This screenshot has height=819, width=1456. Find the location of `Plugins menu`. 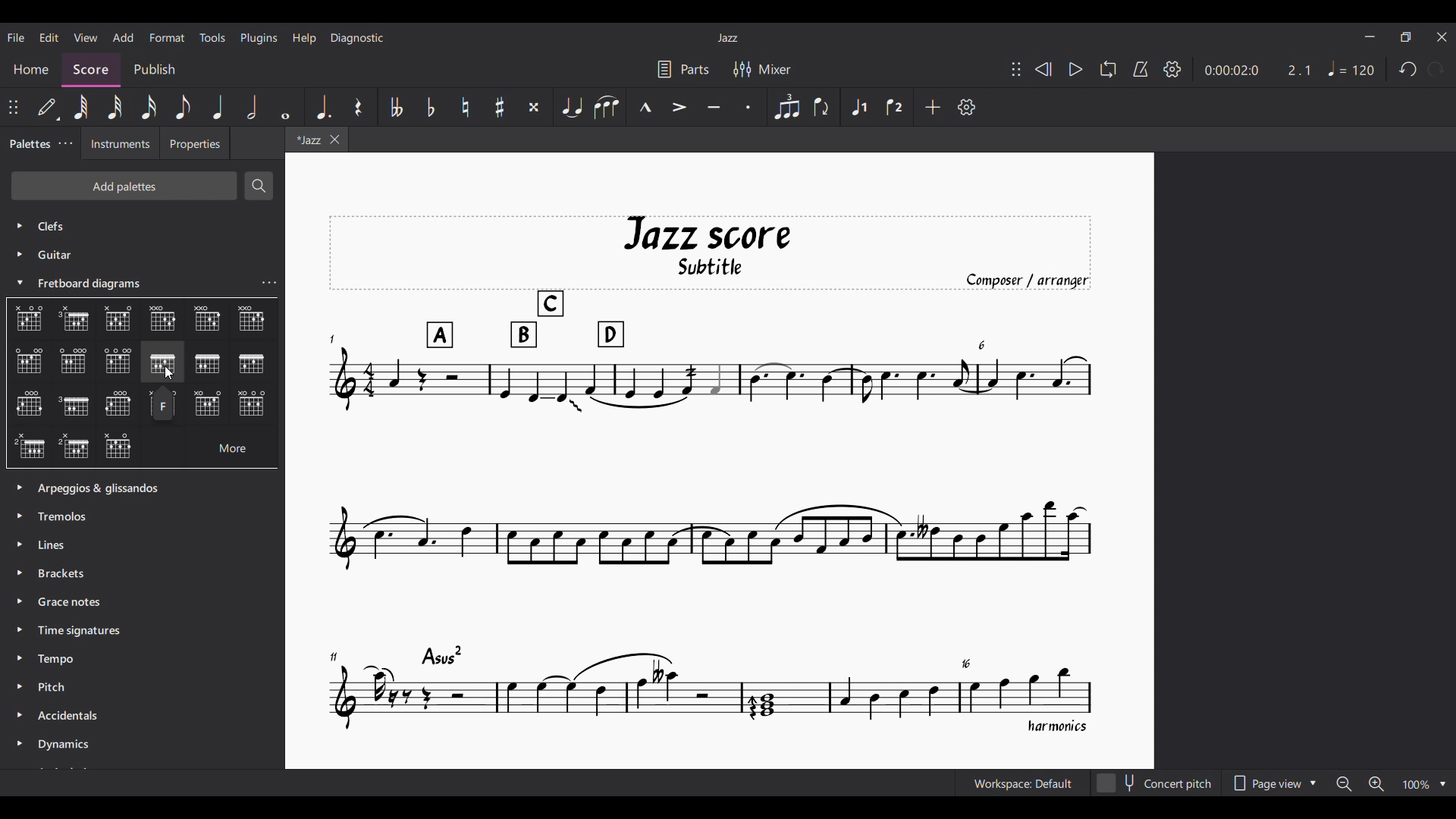

Plugins menu is located at coordinates (259, 39).